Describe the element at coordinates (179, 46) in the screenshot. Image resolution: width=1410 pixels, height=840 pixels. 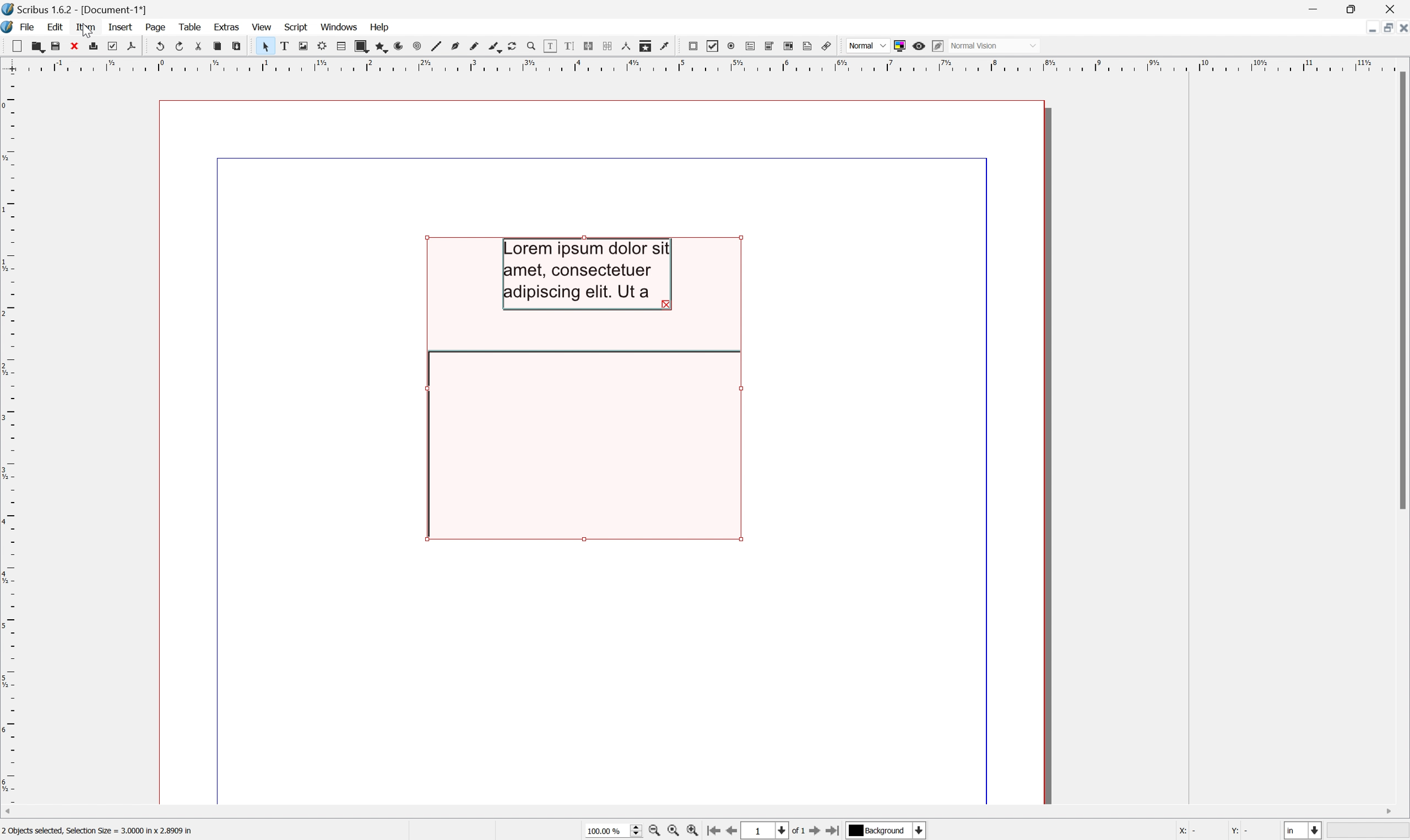
I see `Redo` at that location.